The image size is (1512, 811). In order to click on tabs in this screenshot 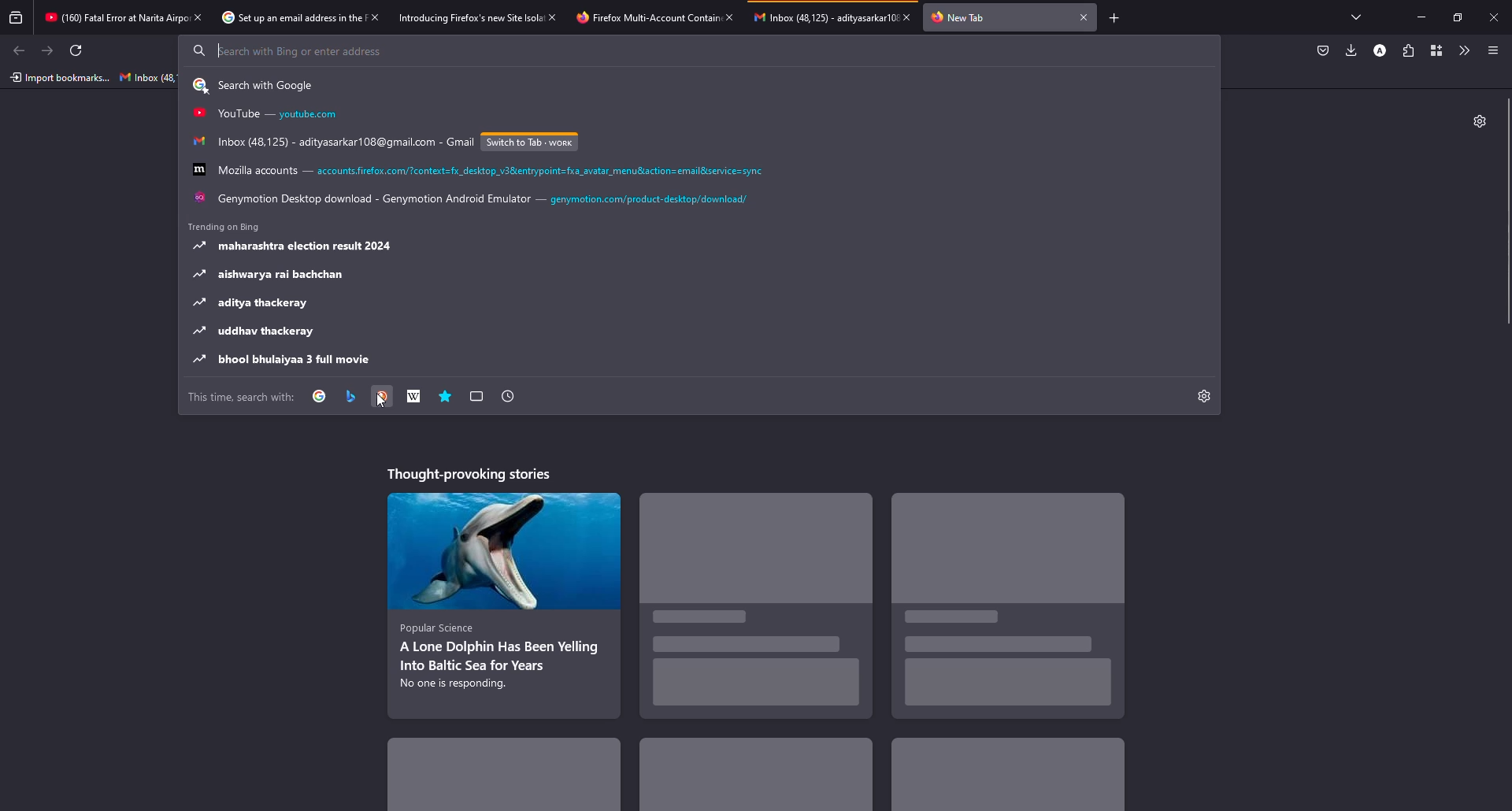, I will do `click(1361, 17)`.